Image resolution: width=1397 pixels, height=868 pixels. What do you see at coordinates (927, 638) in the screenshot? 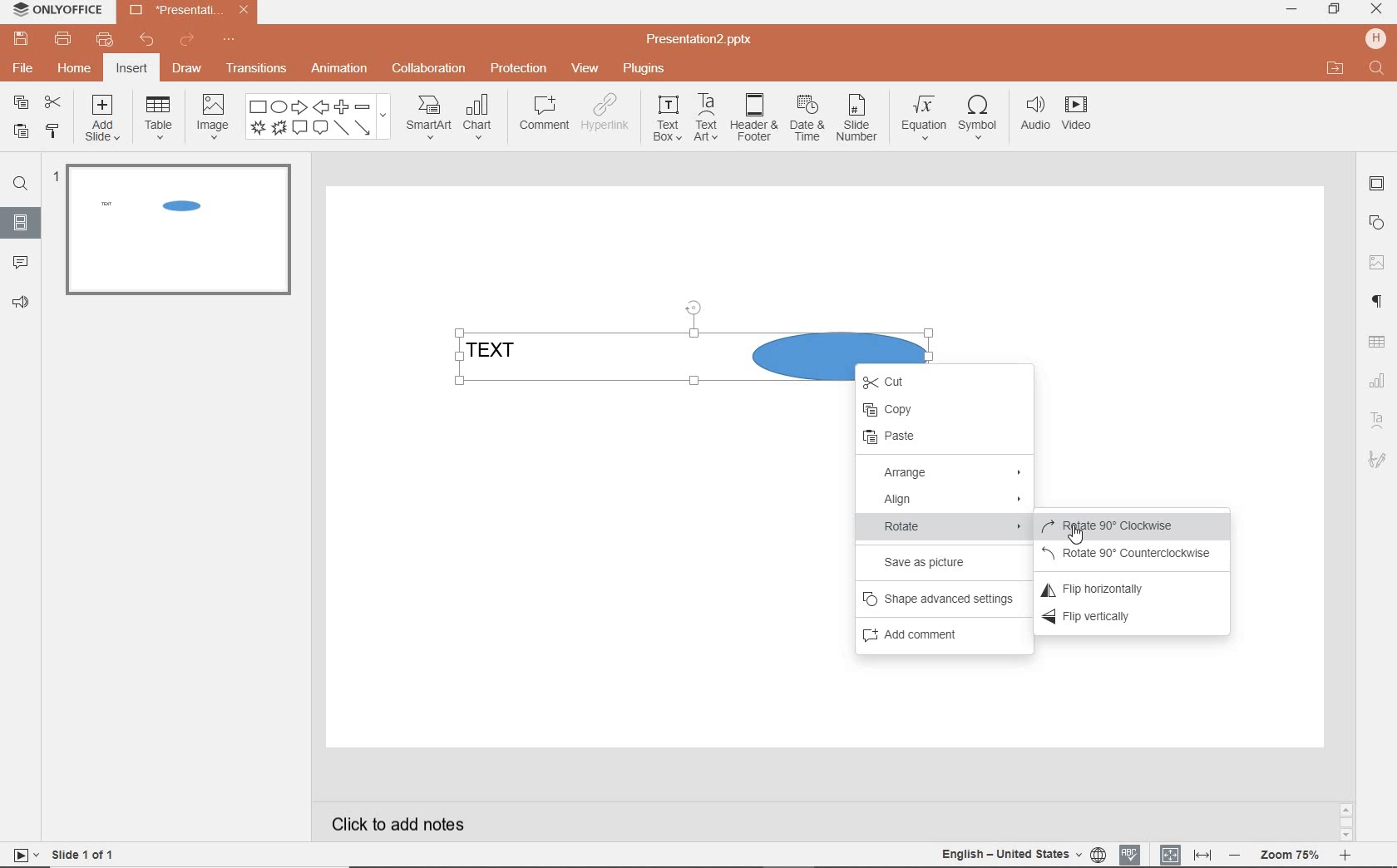
I see `Add comment` at bounding box center [927, 638].